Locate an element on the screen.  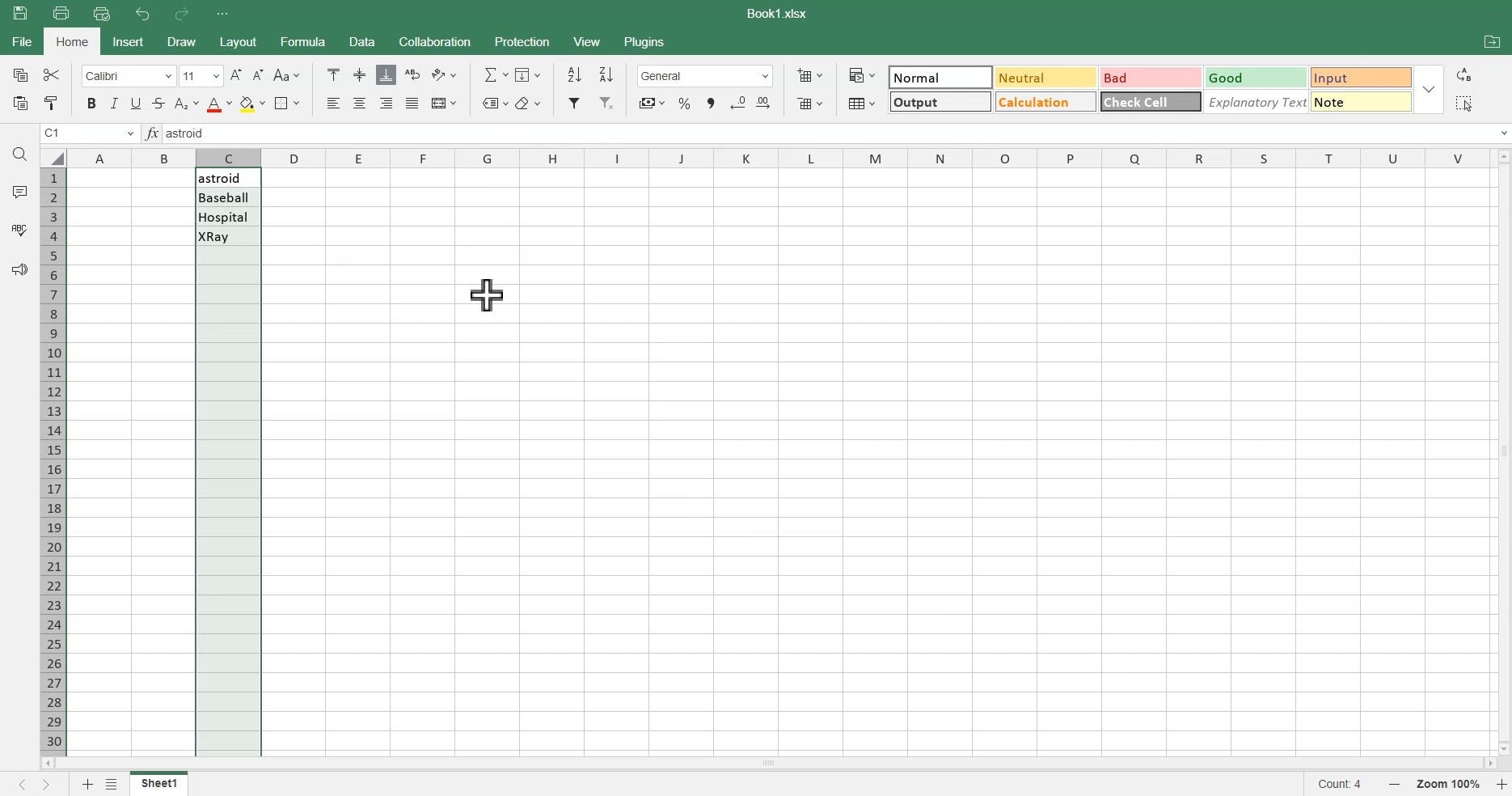
List Of Sheet is located at coordinates (114, 784).